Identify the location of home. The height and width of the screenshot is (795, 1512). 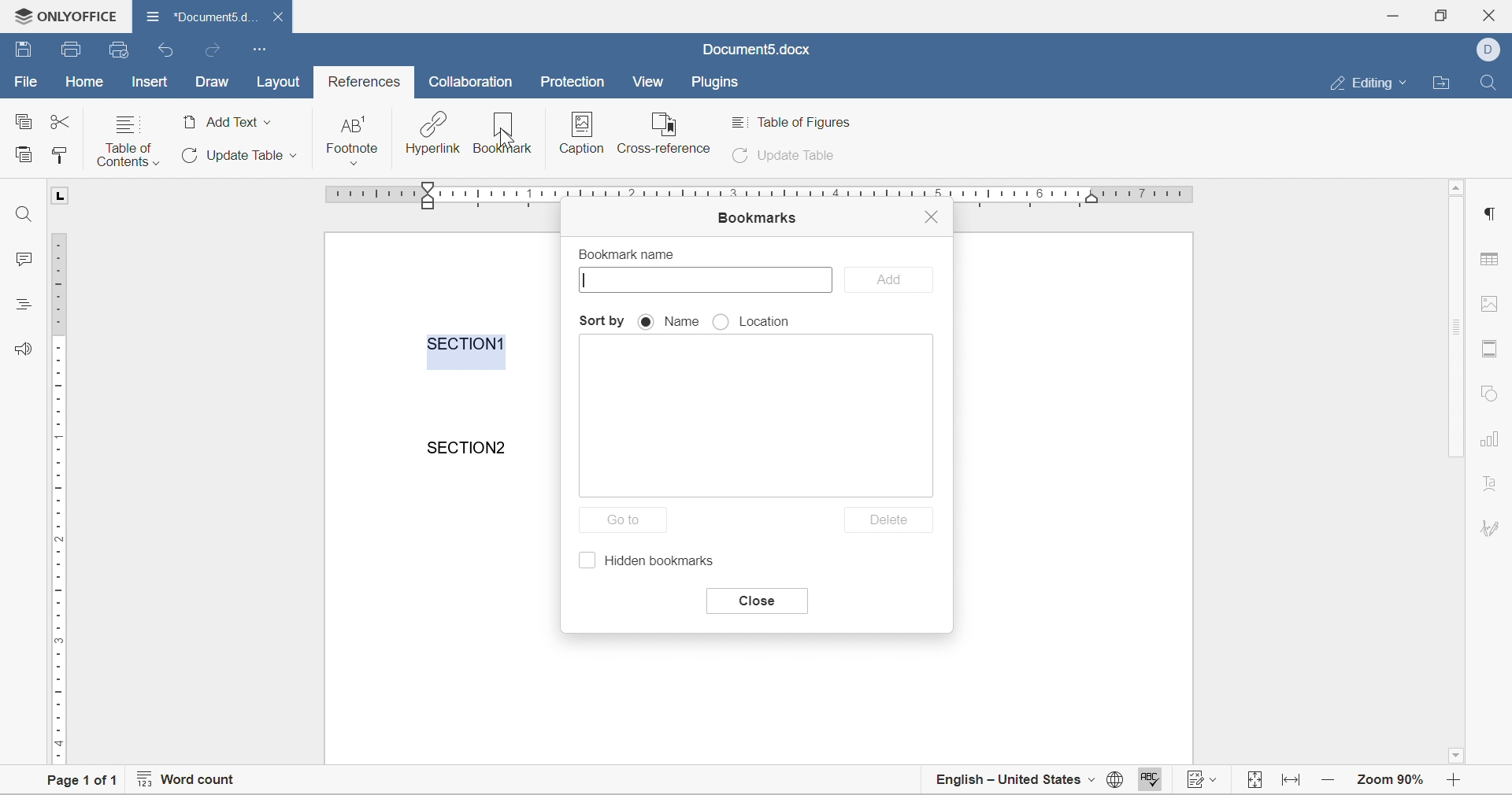
(86, 81).